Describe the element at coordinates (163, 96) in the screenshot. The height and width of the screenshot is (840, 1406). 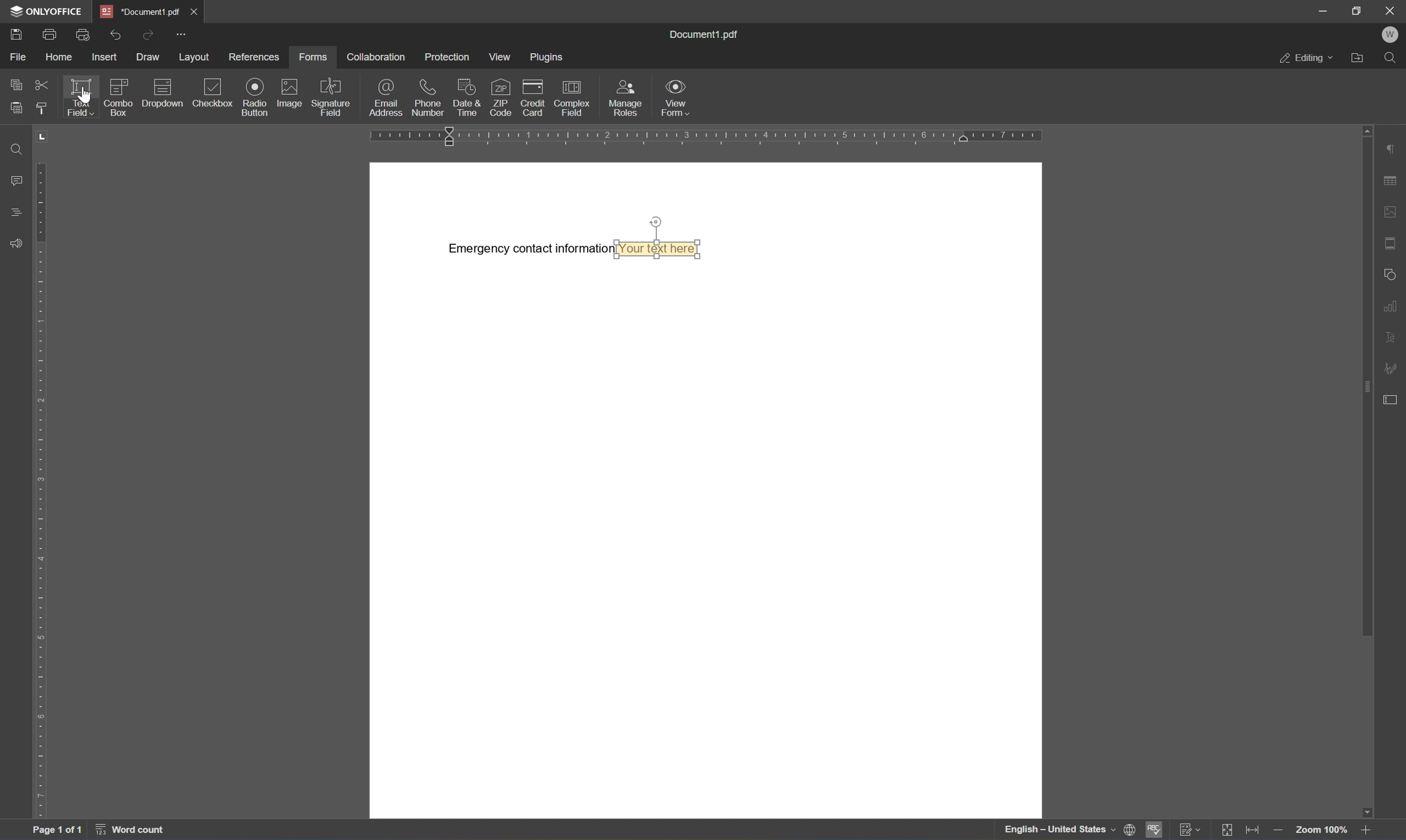
I see `dropdown` at that location.